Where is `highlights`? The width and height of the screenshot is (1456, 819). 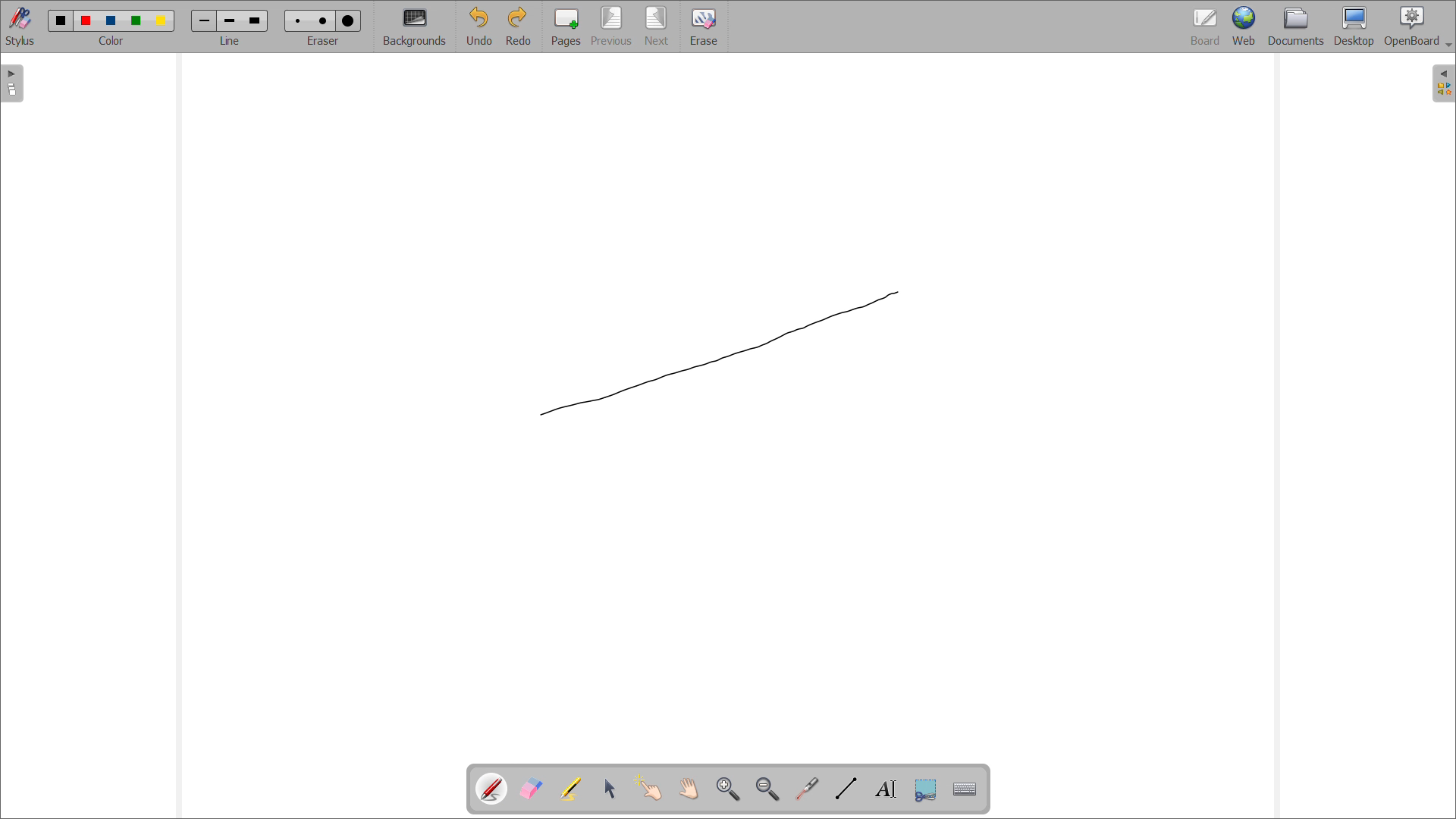 highlights is located at coordinates (571, 789).